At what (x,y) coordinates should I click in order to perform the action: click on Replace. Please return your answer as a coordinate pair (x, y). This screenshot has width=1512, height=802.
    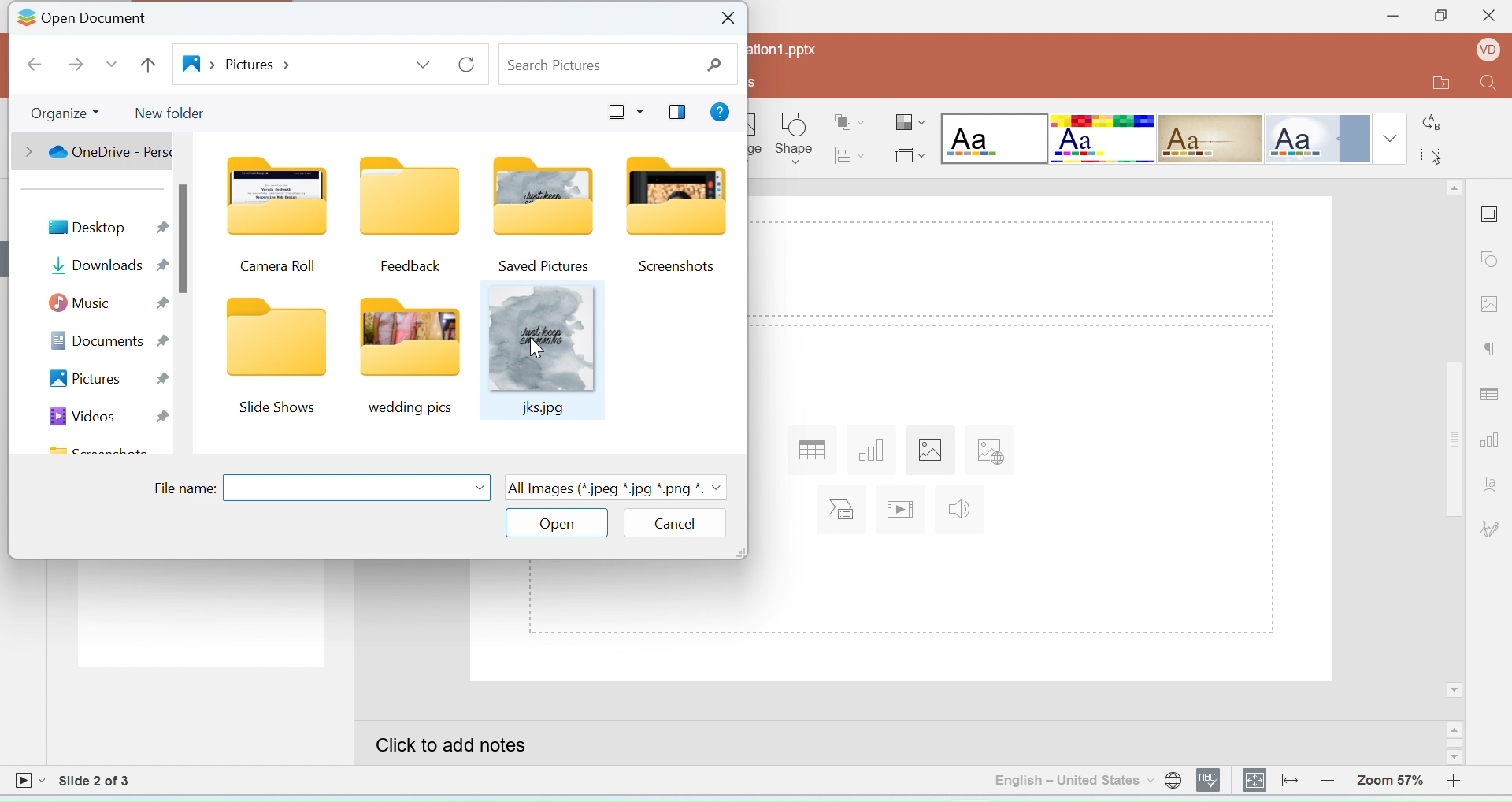
    Looking at the image, I should click on (1433, 117).